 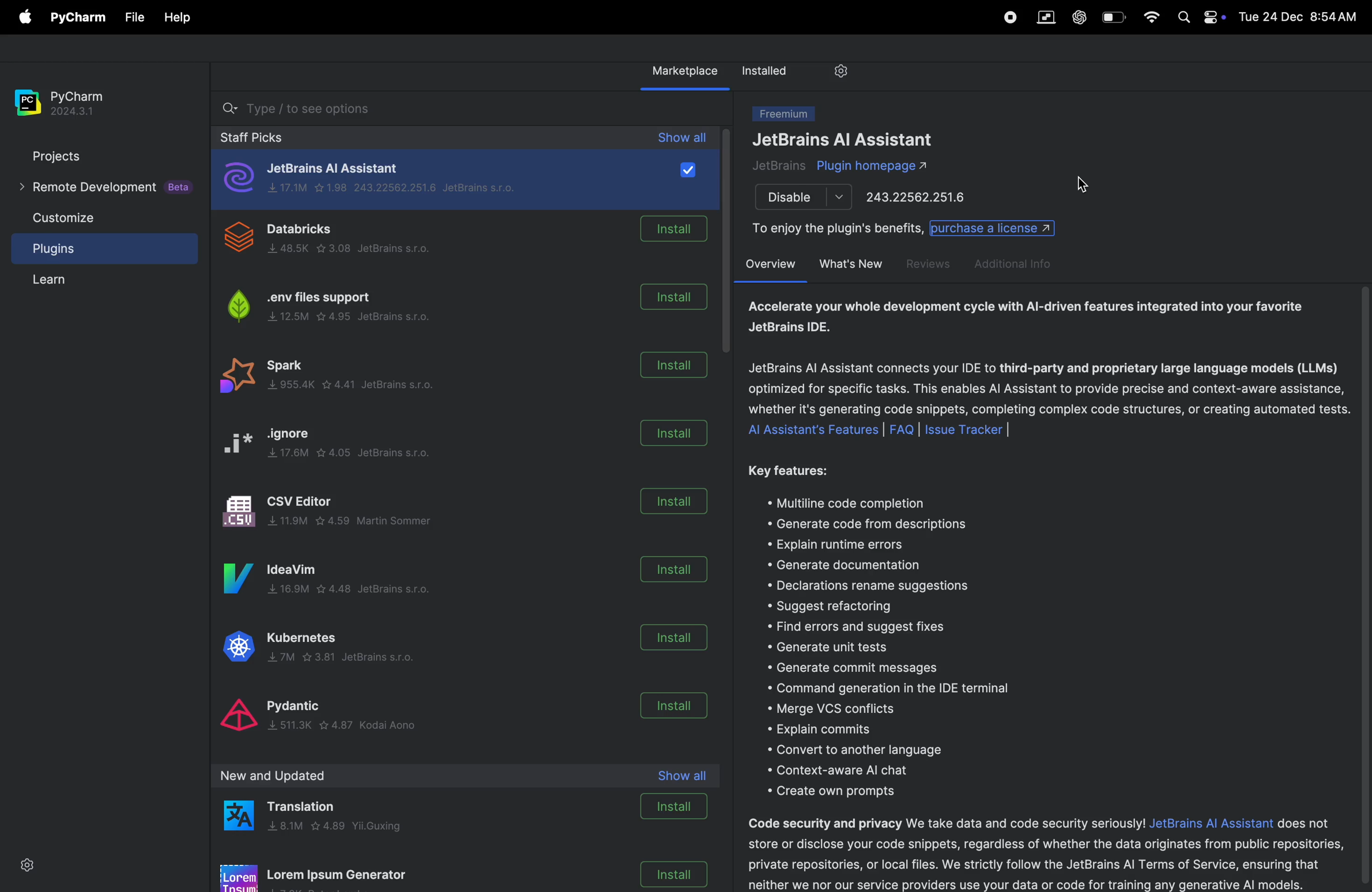 I want to click on translation, so click(x=346, y=823).